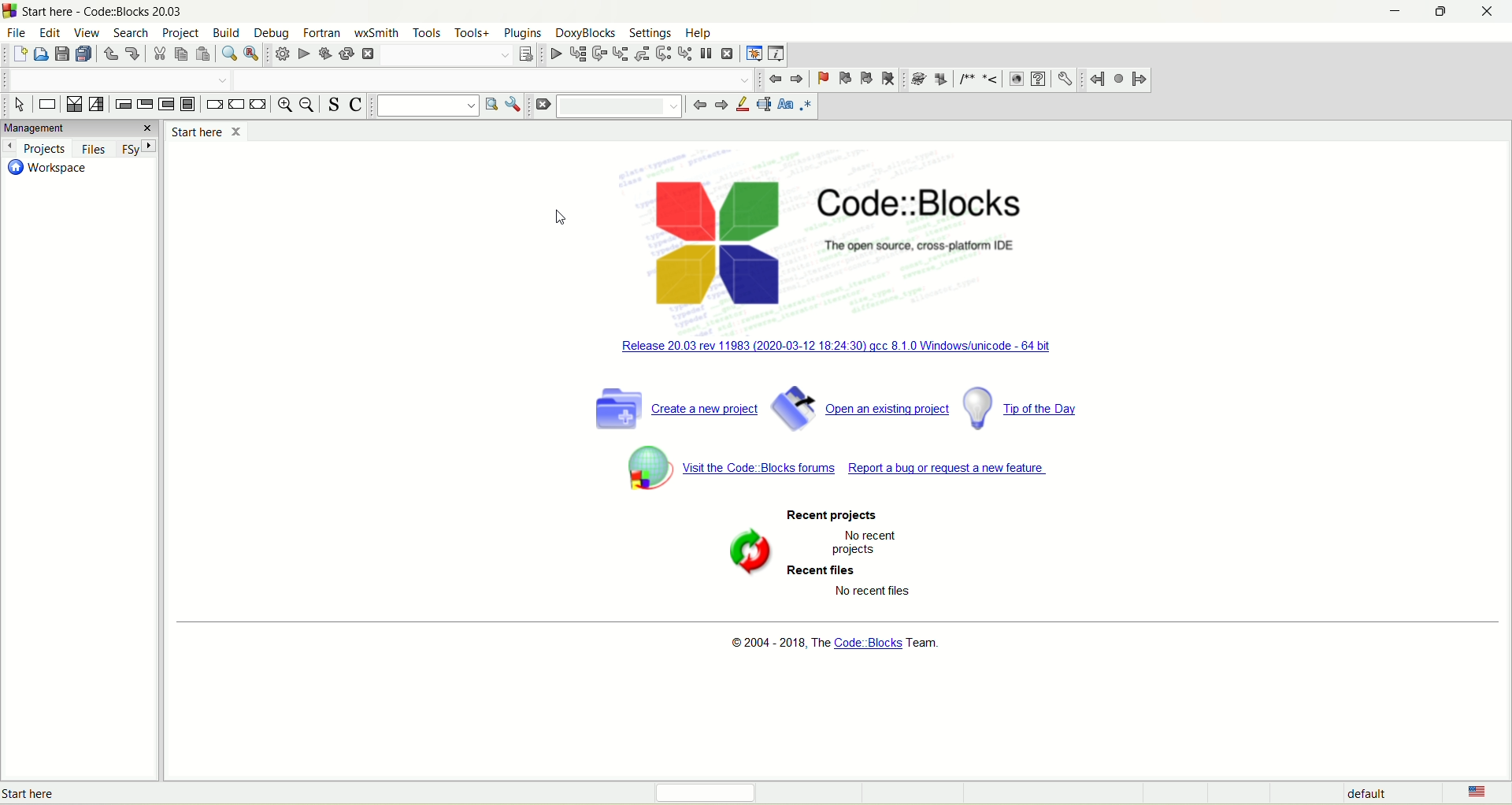  What do you see at coordinates (202, 54) in the screenshot?
I see `paste` at bounding box center [202, 54].